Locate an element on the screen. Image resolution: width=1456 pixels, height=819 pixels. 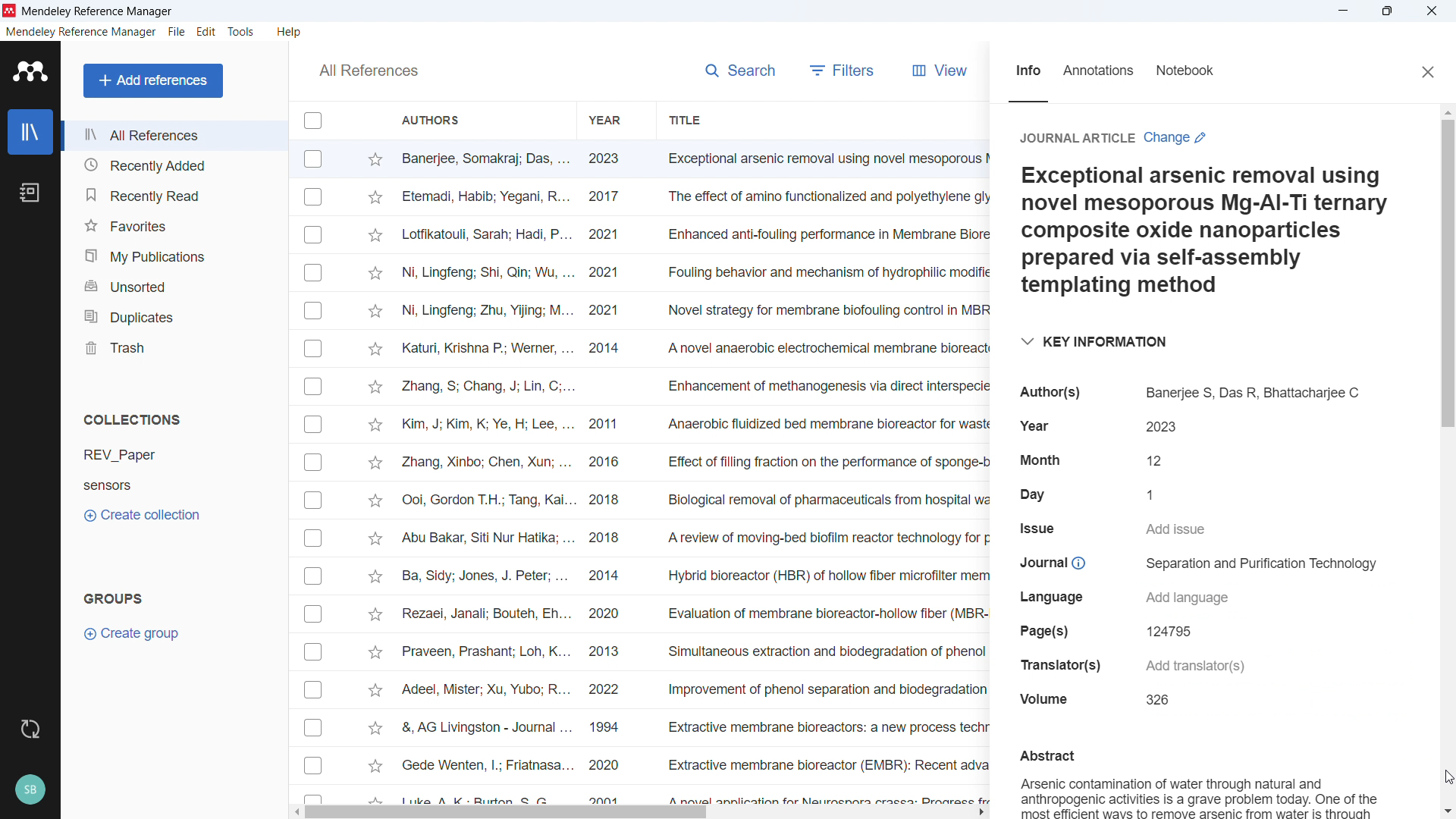
logo is located at coordinates (30, 71).